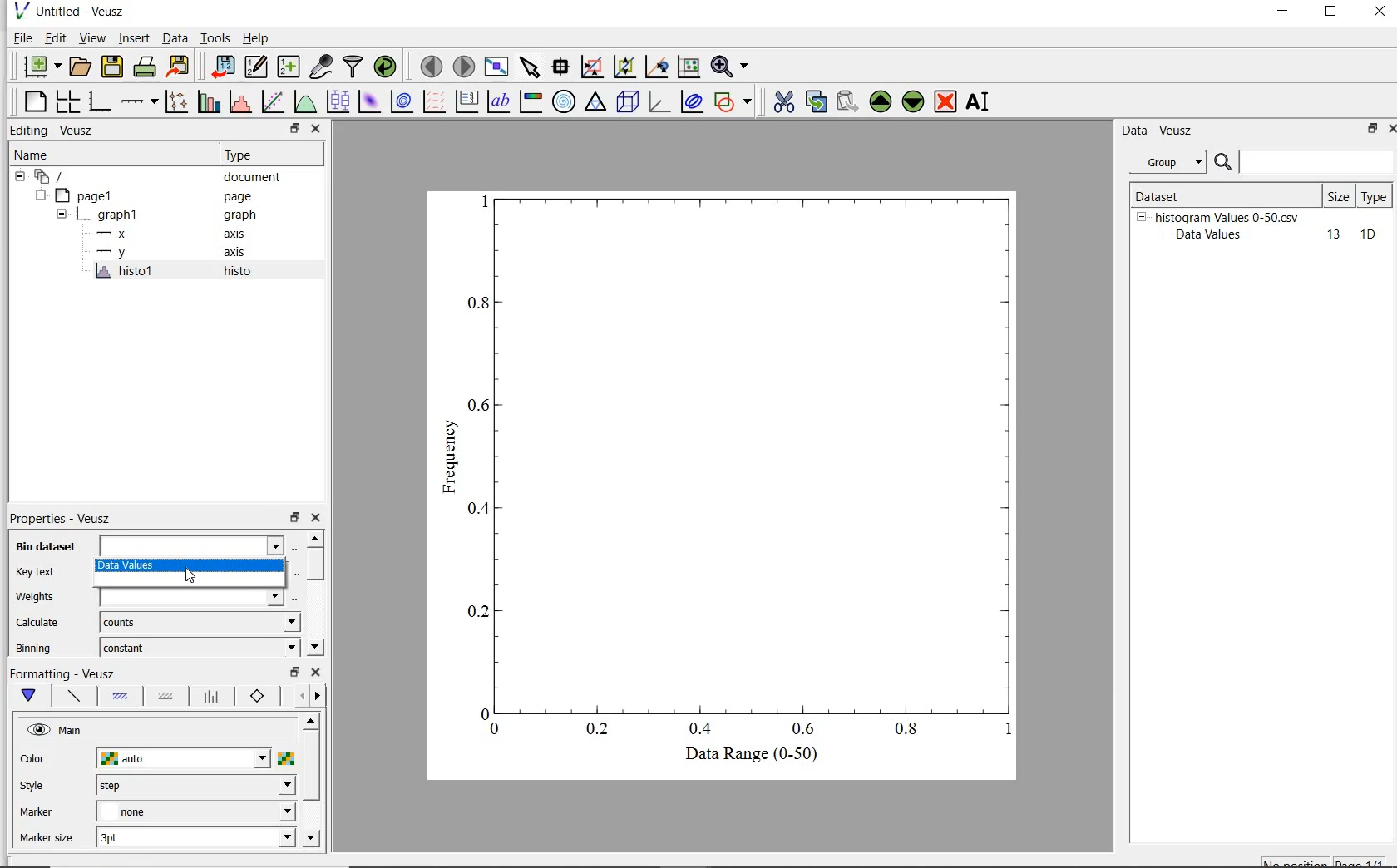 The height and width of the screenshot is (868, 1397). Describe the element at coordinates (146, 65) in the screenshot. I see `print the document` at that location.